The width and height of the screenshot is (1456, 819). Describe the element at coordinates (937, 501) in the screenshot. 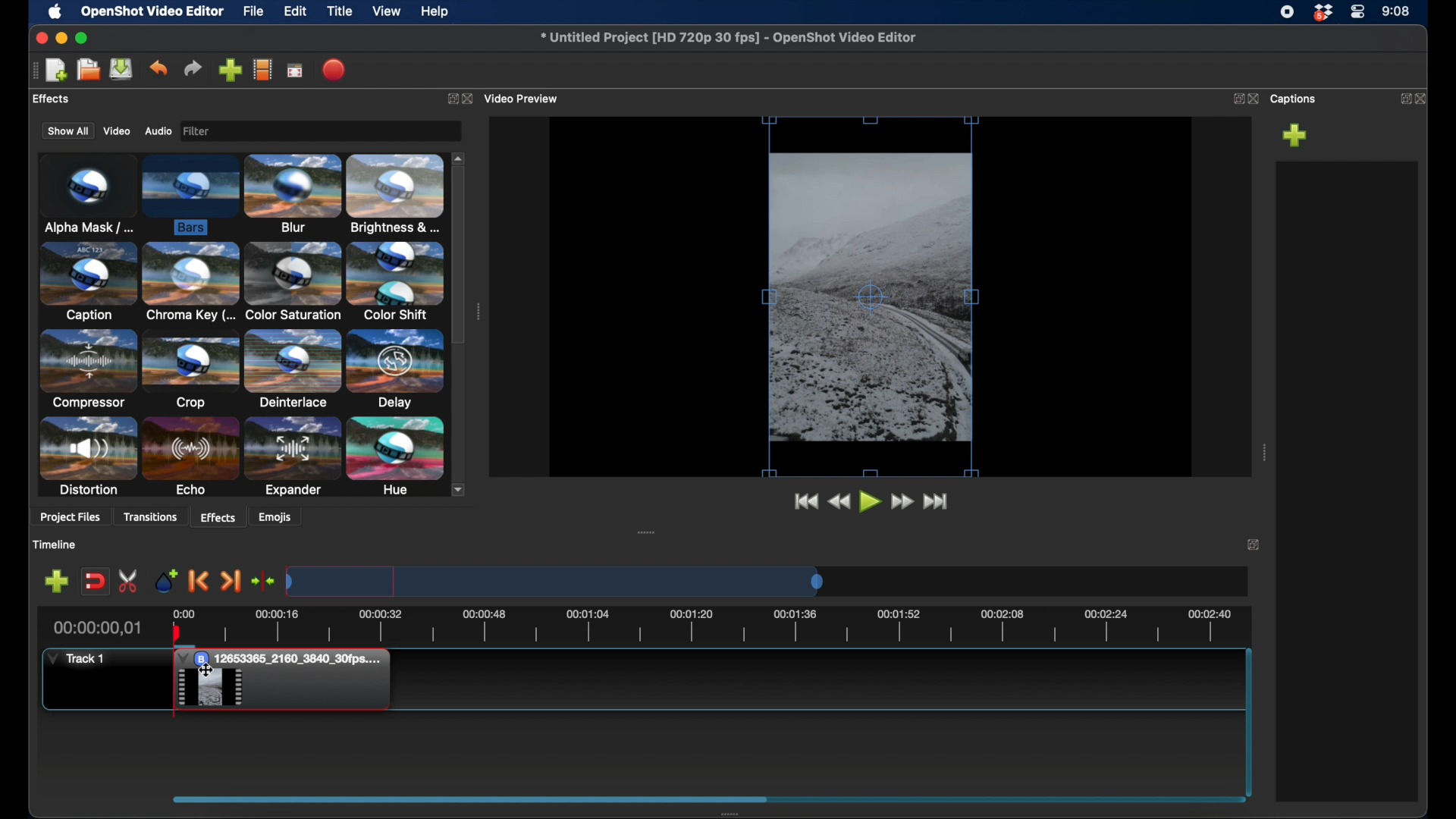

I see `fast forward` at that location.